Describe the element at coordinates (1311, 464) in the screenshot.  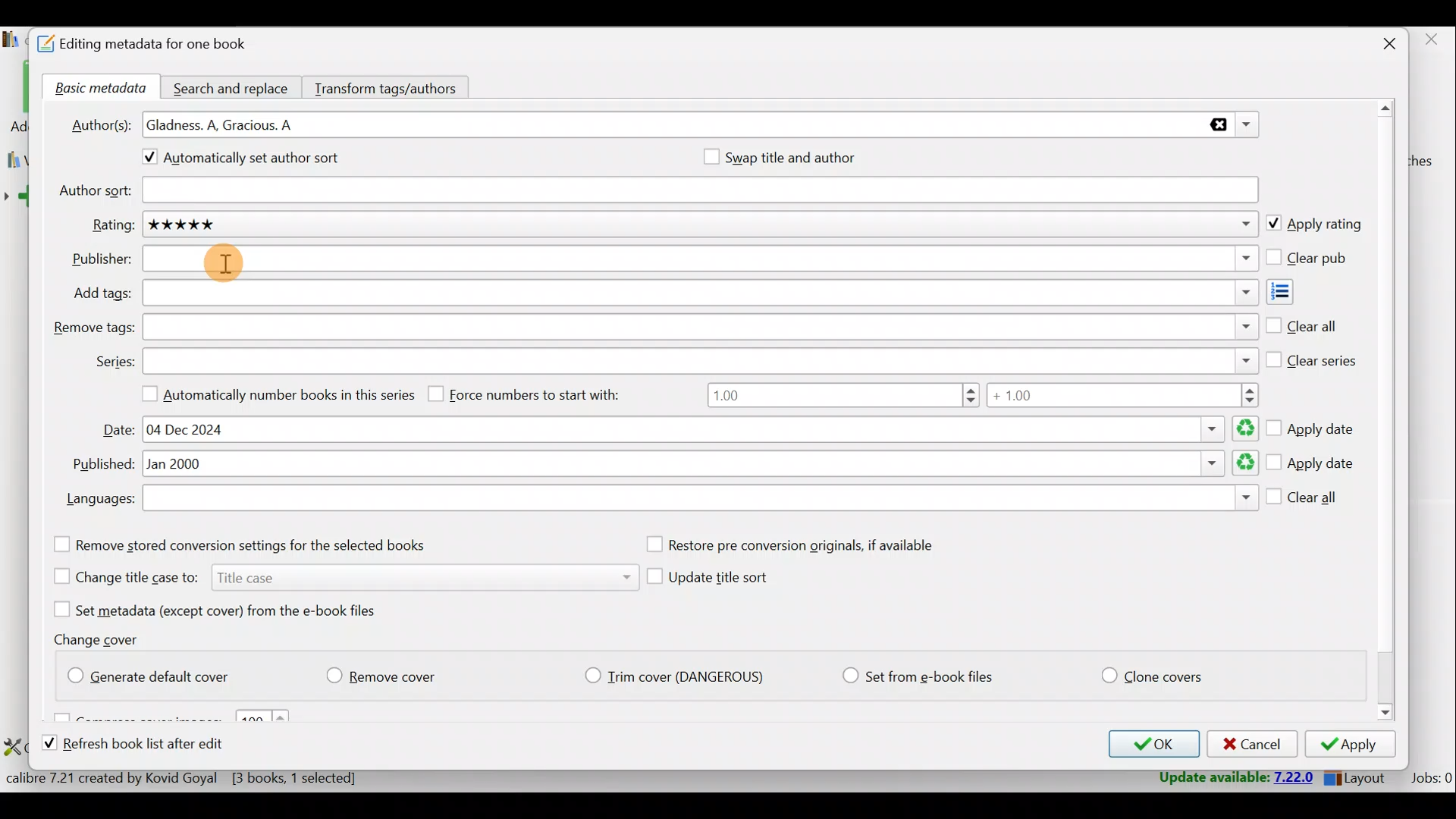
I see `Apply date` at that location.